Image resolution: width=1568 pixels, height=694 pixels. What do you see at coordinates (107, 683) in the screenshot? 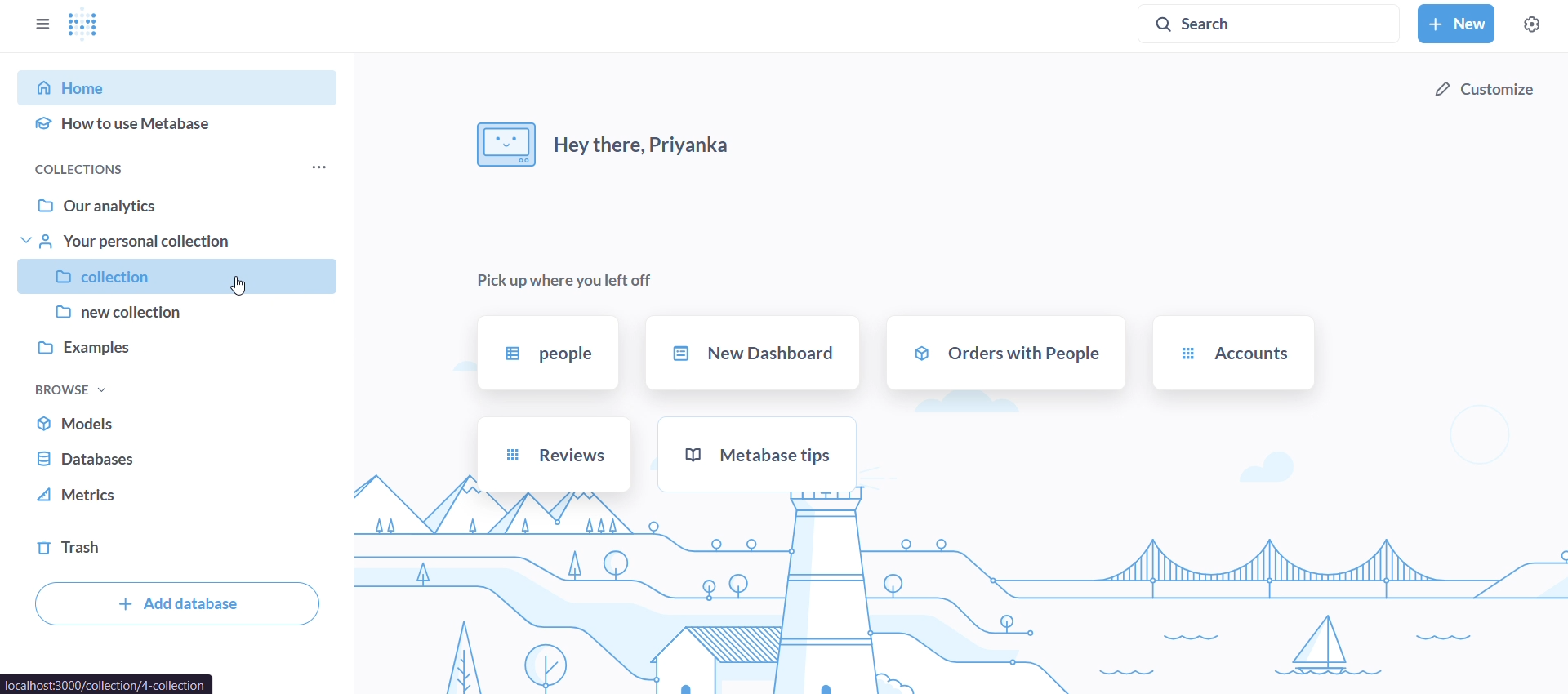
I see `url` at bounding box center [107, 683].